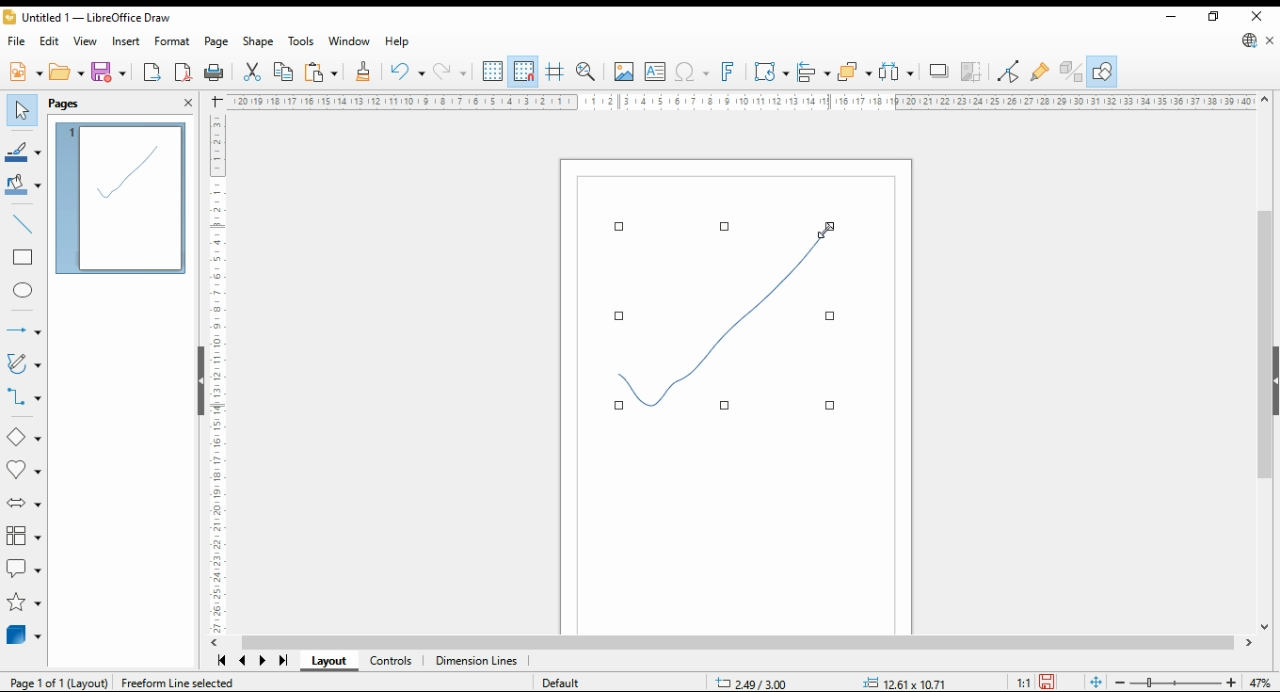 This screenshot has height=692, width=1280. I want to click on pages, so click(68, 104).